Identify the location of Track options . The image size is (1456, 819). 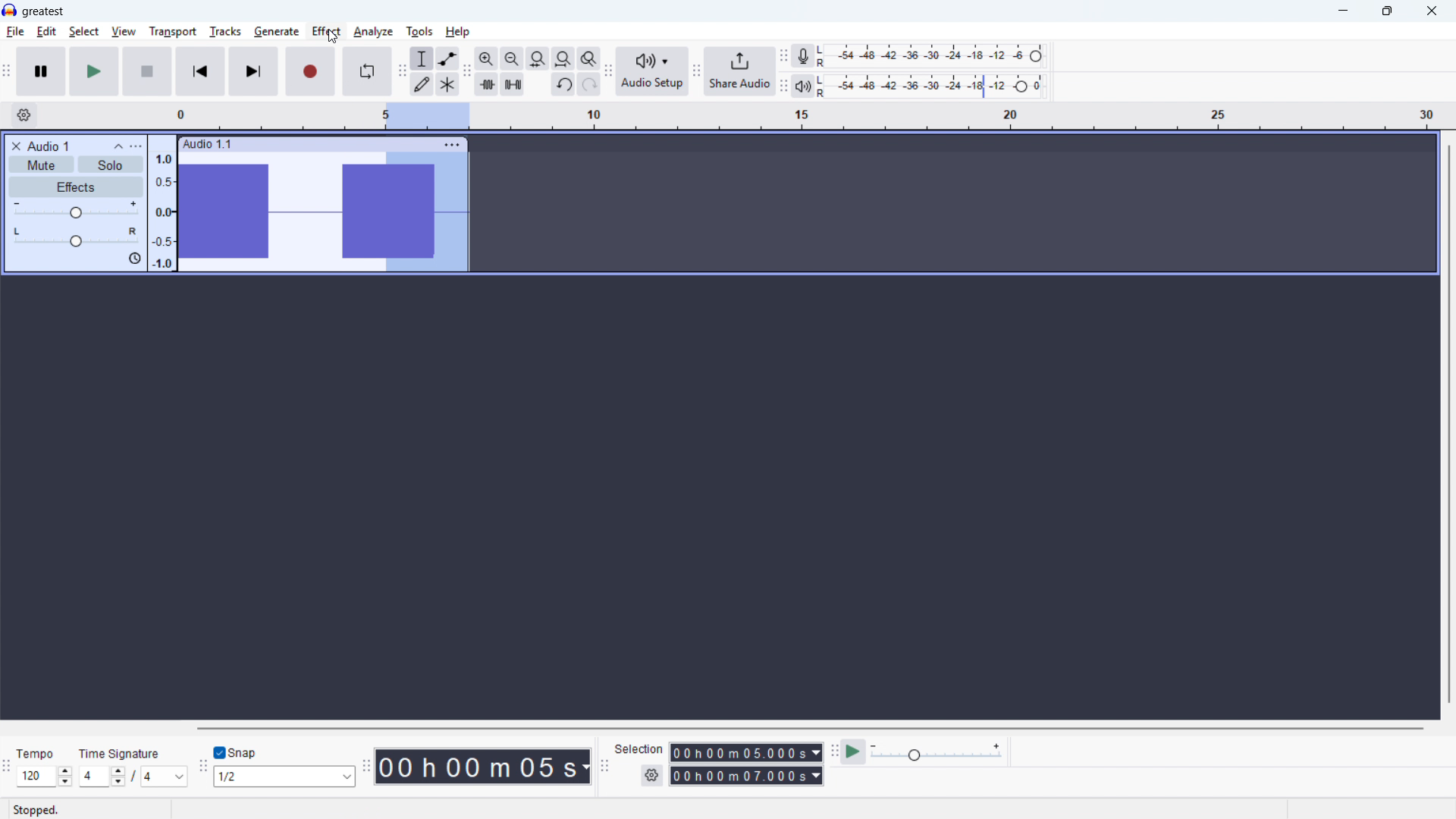
(453, 145).